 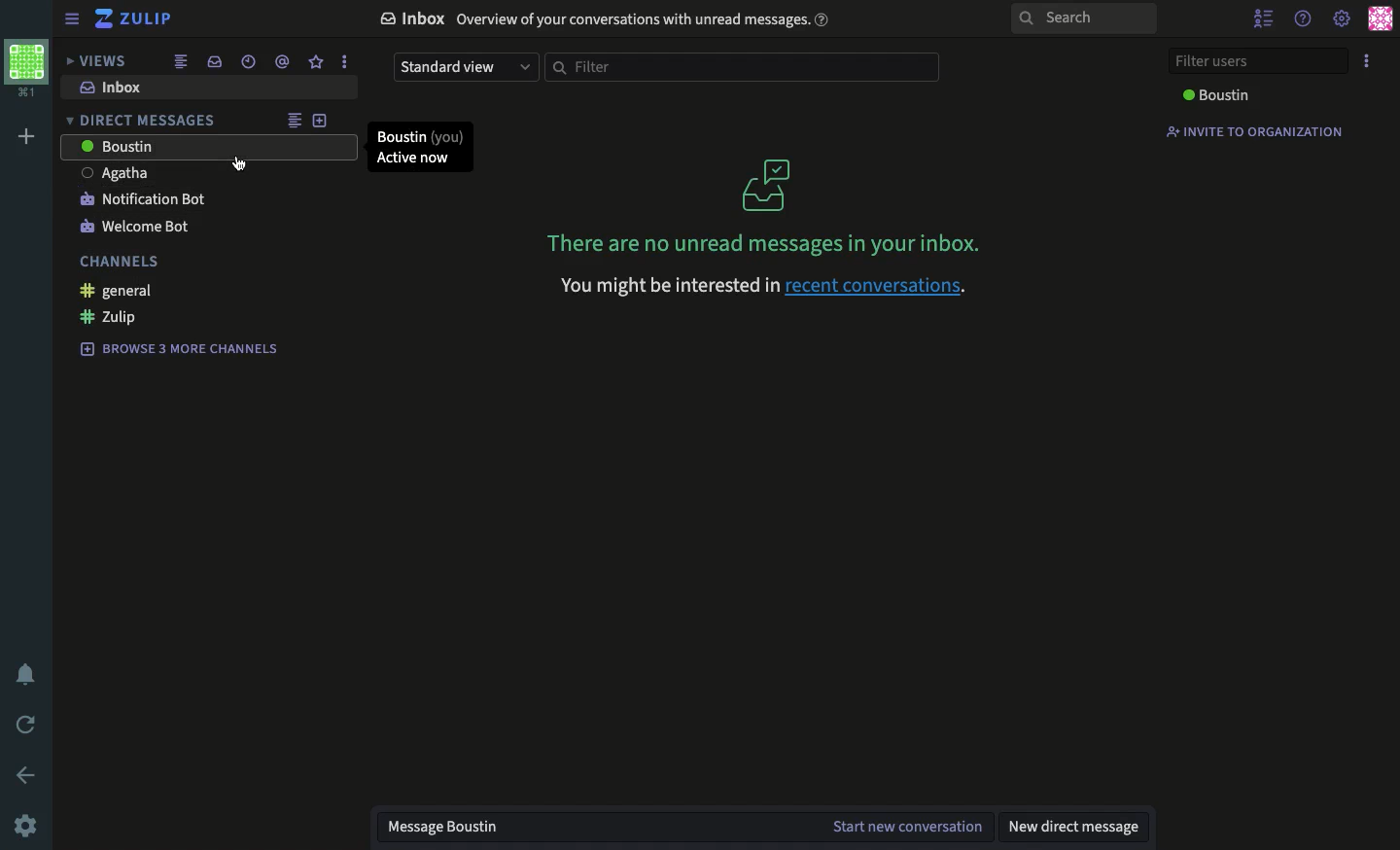 I want to click on date time, so click(x=250, y=62).